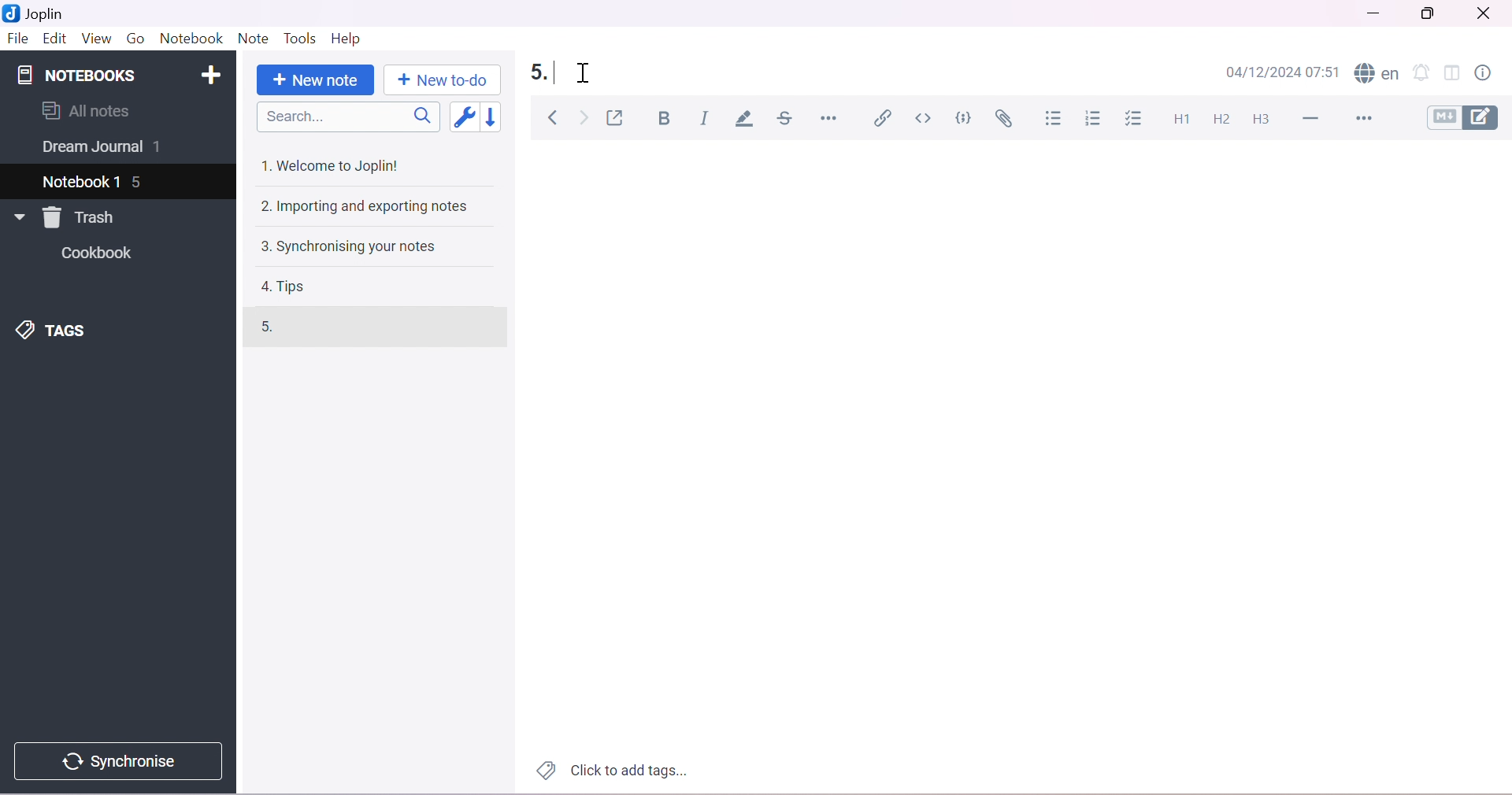 This screenshot has width=1512, height=795. What do you see at coordinates (54, 39) in the screenshot?
I see `Edit` at bounding box center [54, 39].